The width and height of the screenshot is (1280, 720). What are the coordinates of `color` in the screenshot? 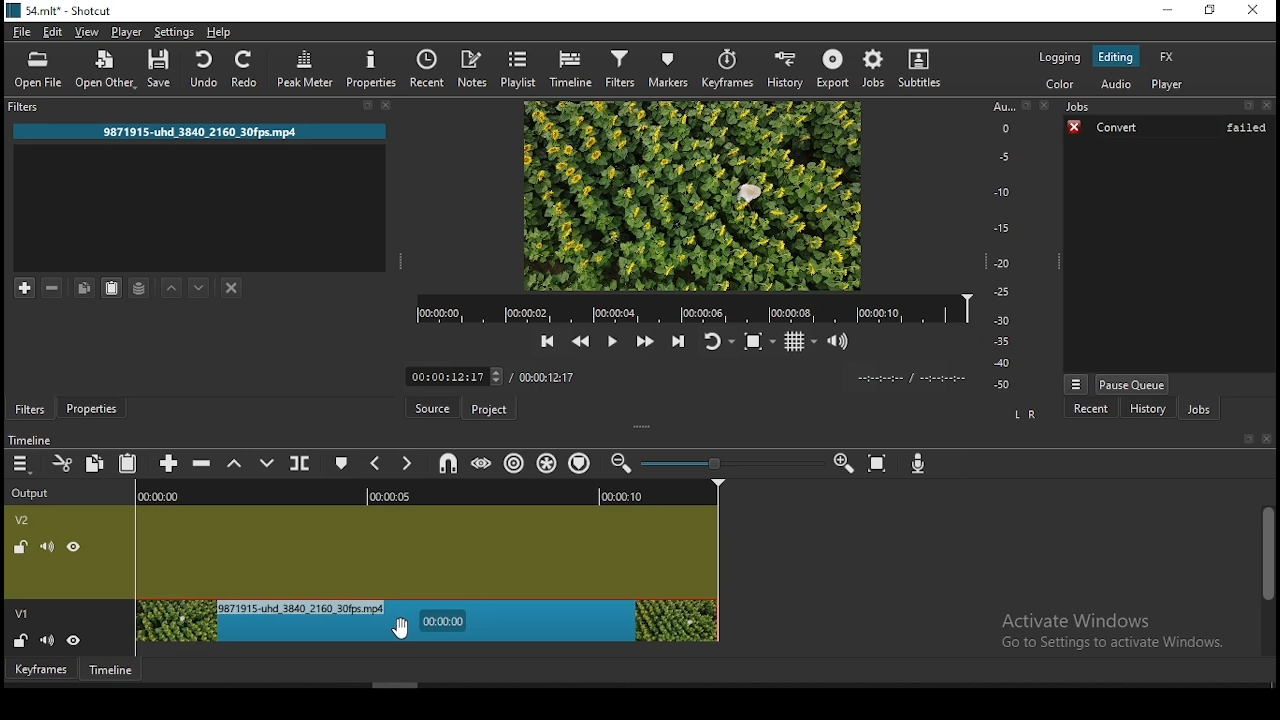 It's located at (1063, 86).